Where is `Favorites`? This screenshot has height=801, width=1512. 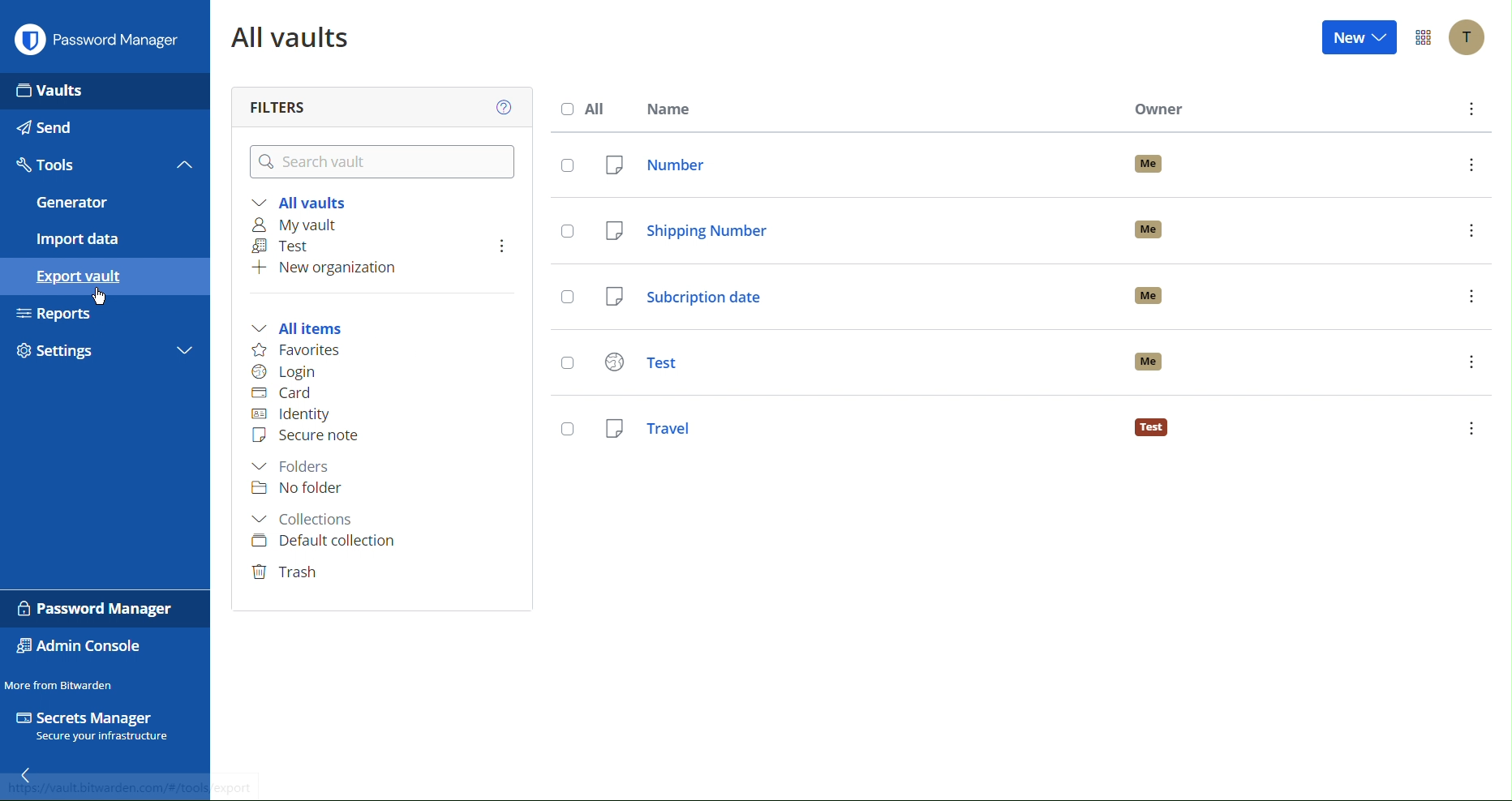 Favorites is located at coordinates (295, 350).